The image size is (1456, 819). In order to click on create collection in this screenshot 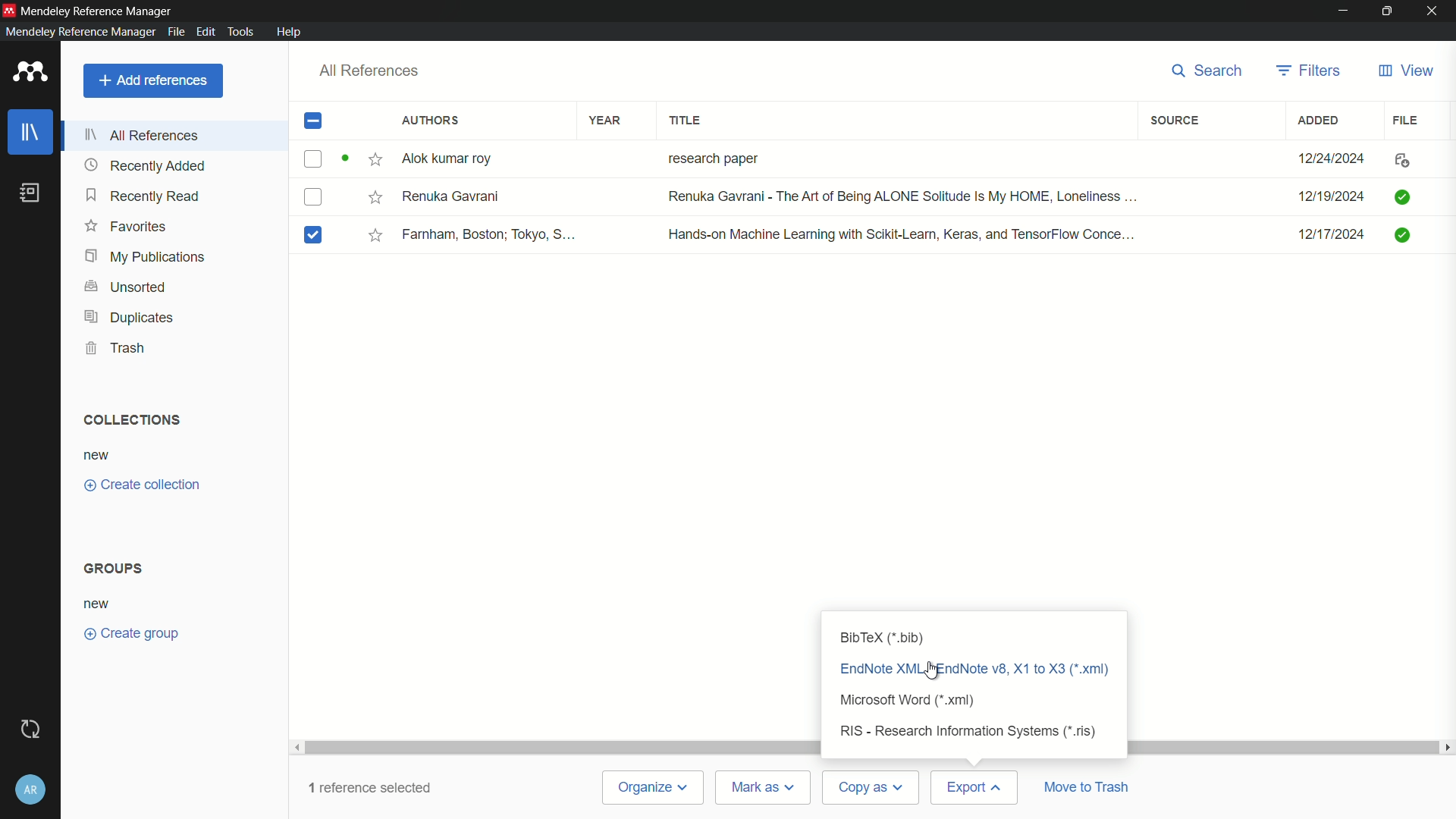, I will do `click(140, 485)`.